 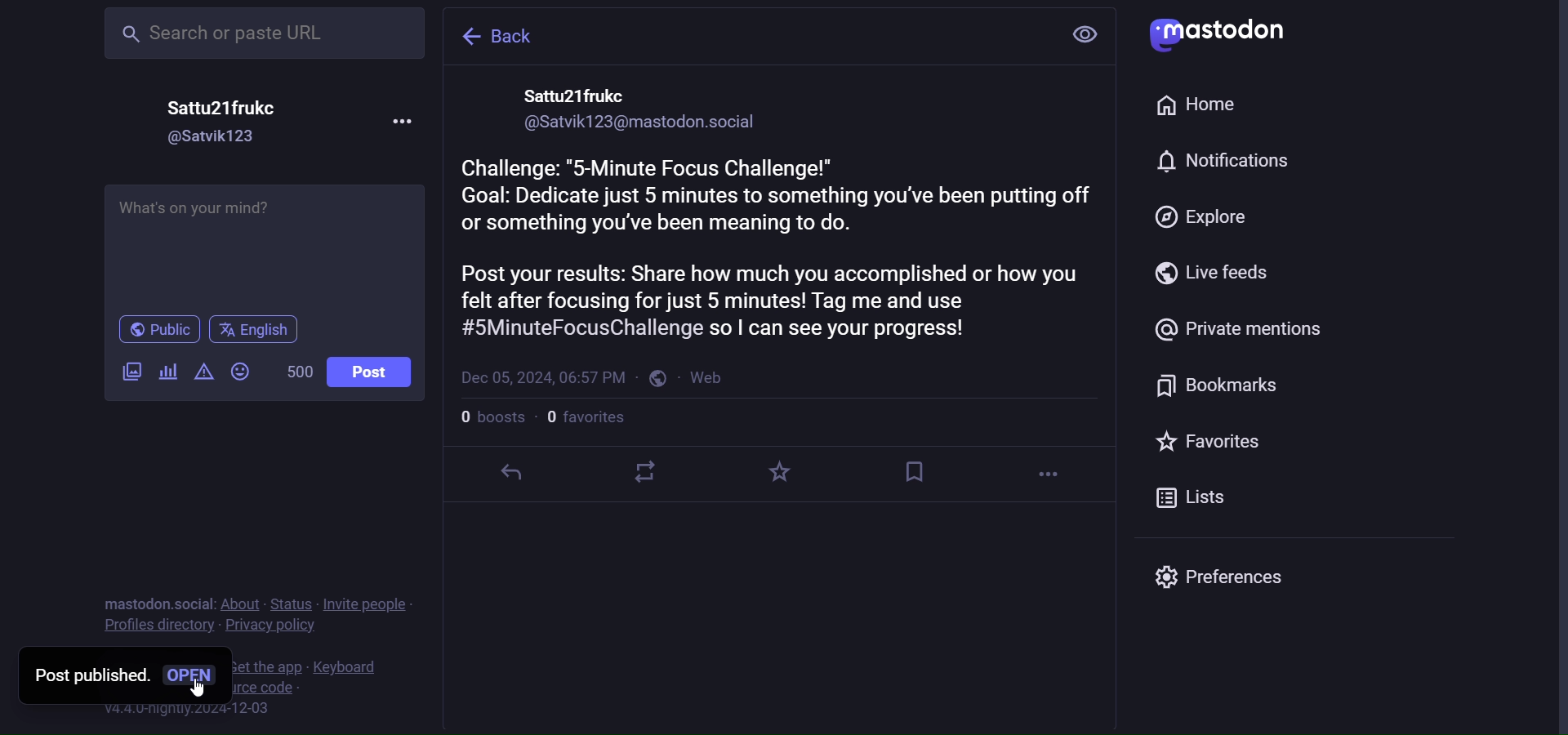 What do you see at coordinates (647, 475) in the screenshot?
I see `boost` at bounding box center [647, 475].